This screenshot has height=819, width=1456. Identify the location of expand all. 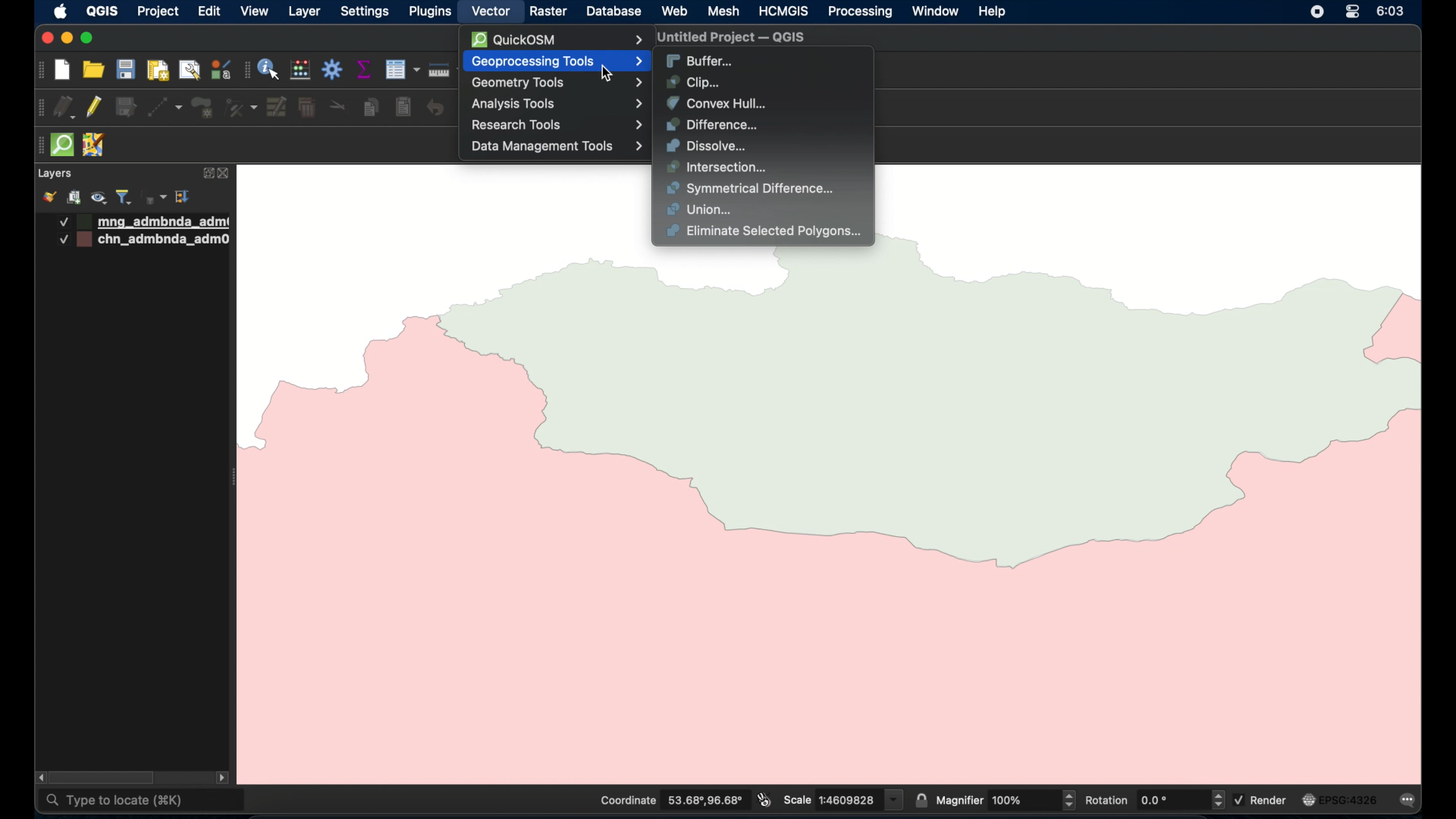
(184, 197).